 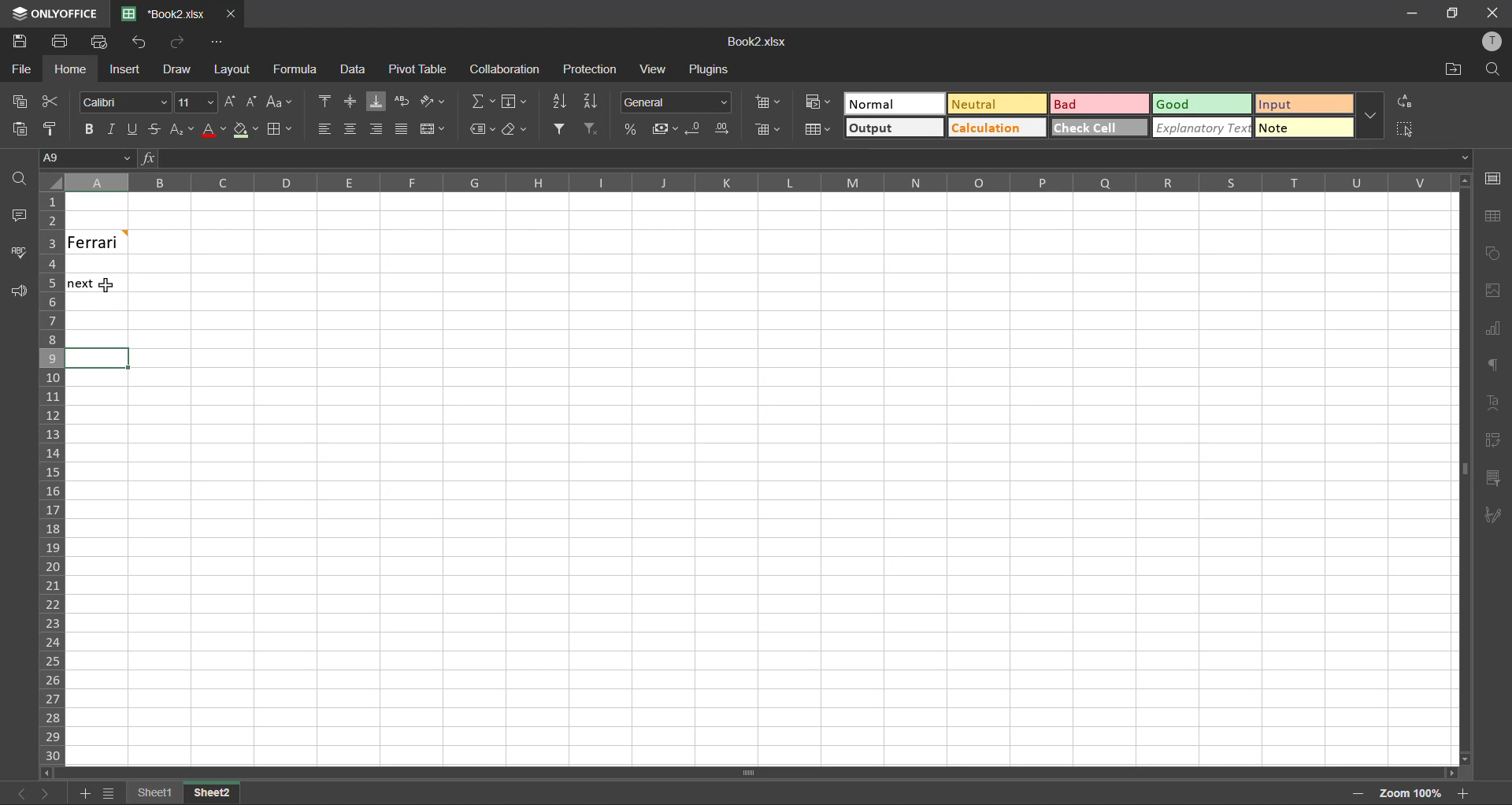 What do you see at coordinates (66, 69) in the screenshot?
I see `home` at bounding box center [66, 69].